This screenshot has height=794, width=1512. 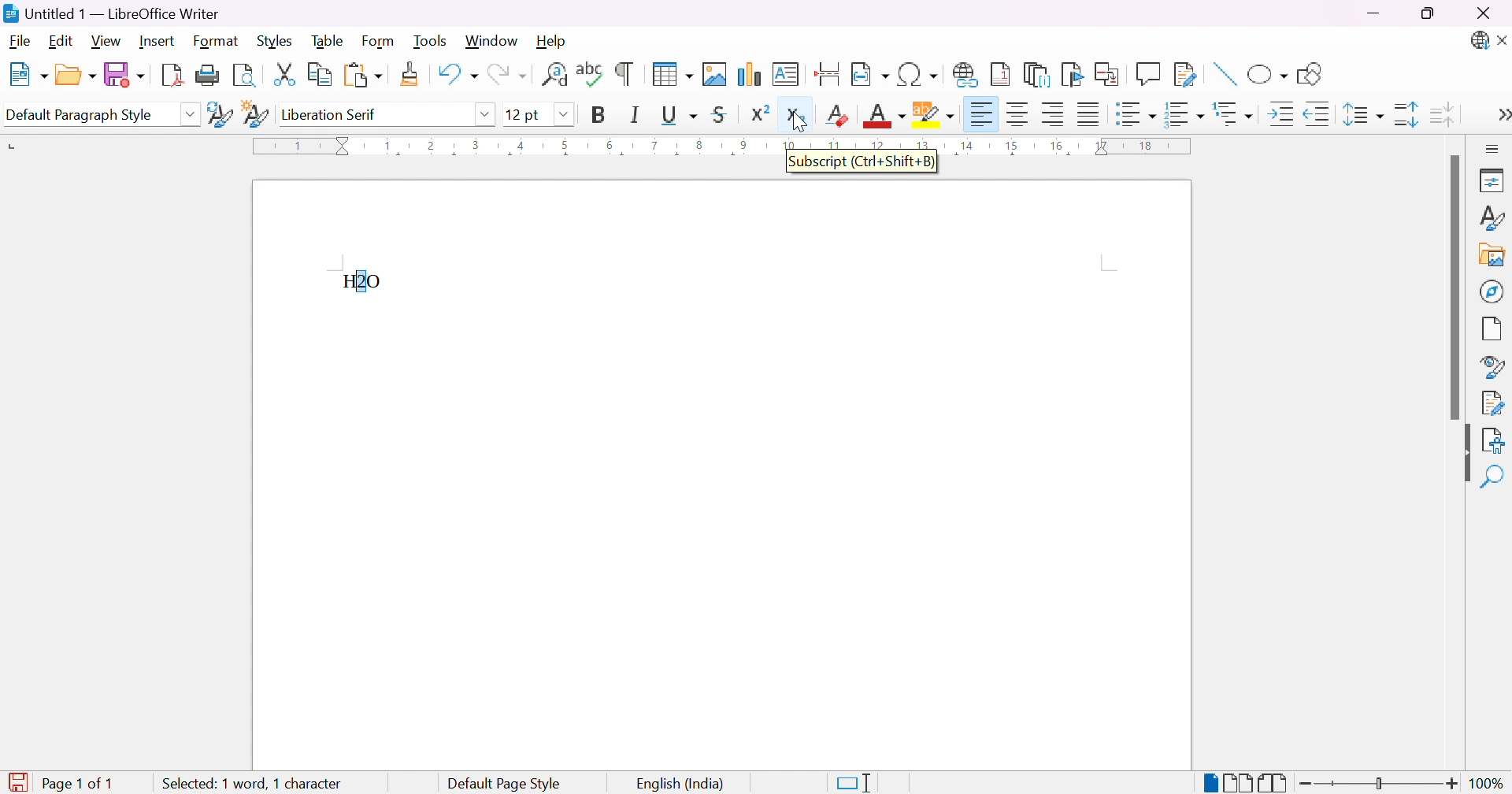 What do you see at coordinates (157, 41) in the screenshot?
I see `Insert` at bounding box center [157, 41].